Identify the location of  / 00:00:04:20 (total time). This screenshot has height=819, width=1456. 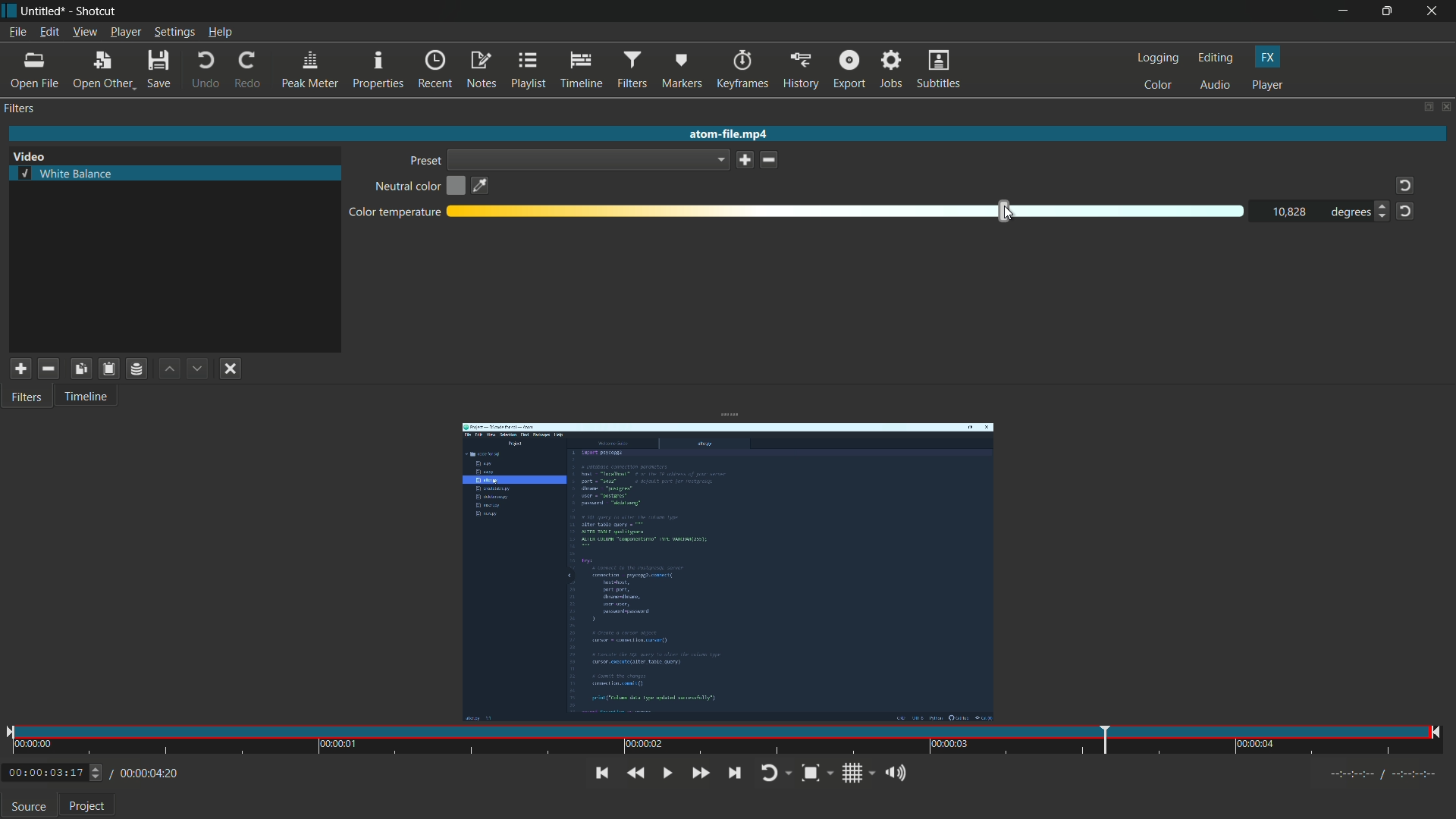
(146, 771).